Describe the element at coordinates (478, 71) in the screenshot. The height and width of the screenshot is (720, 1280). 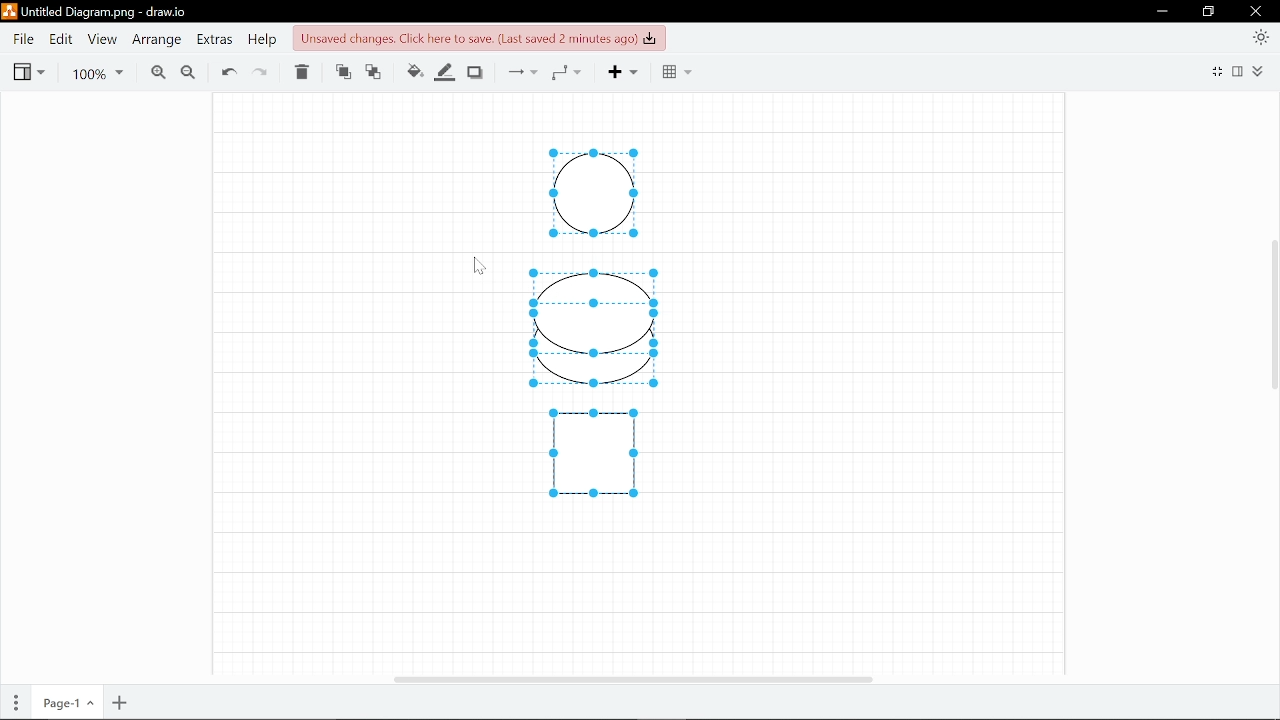
I see `Shadow` at that location.